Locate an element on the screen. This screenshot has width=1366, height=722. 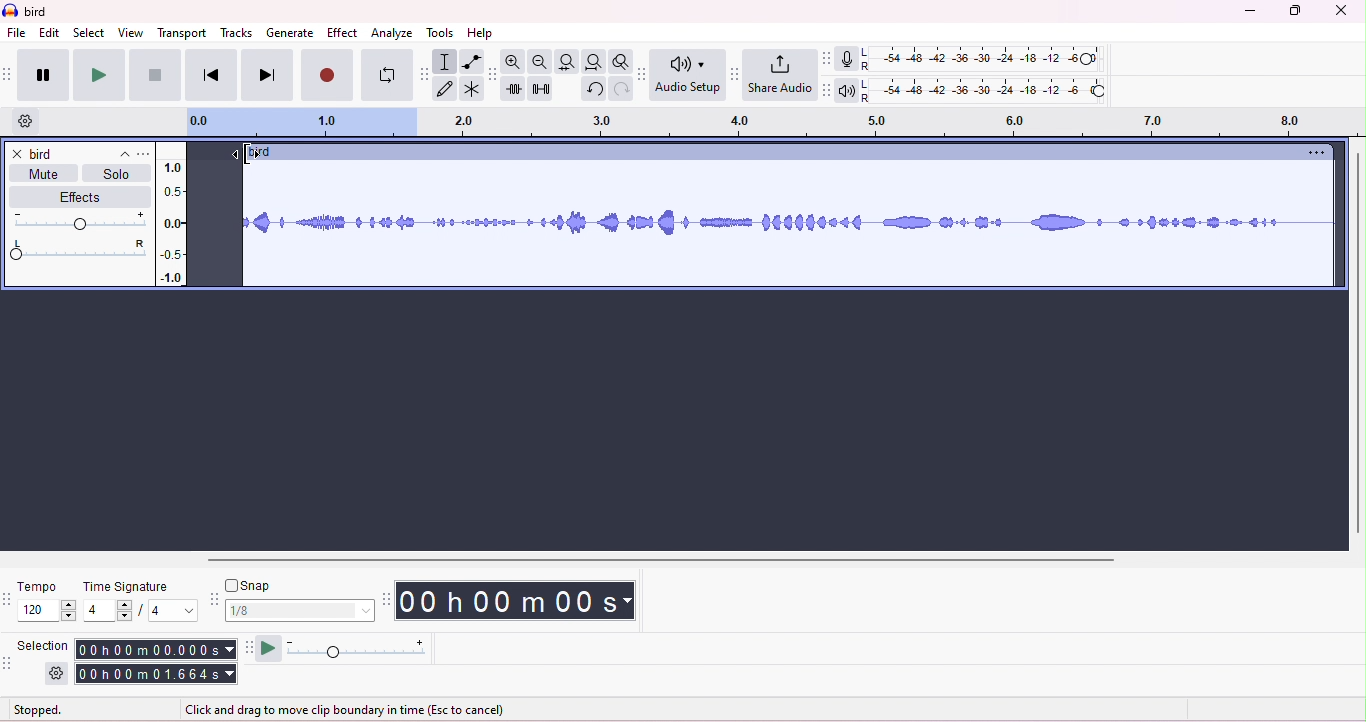
tools tool bar is located at coordinates (422, 73).